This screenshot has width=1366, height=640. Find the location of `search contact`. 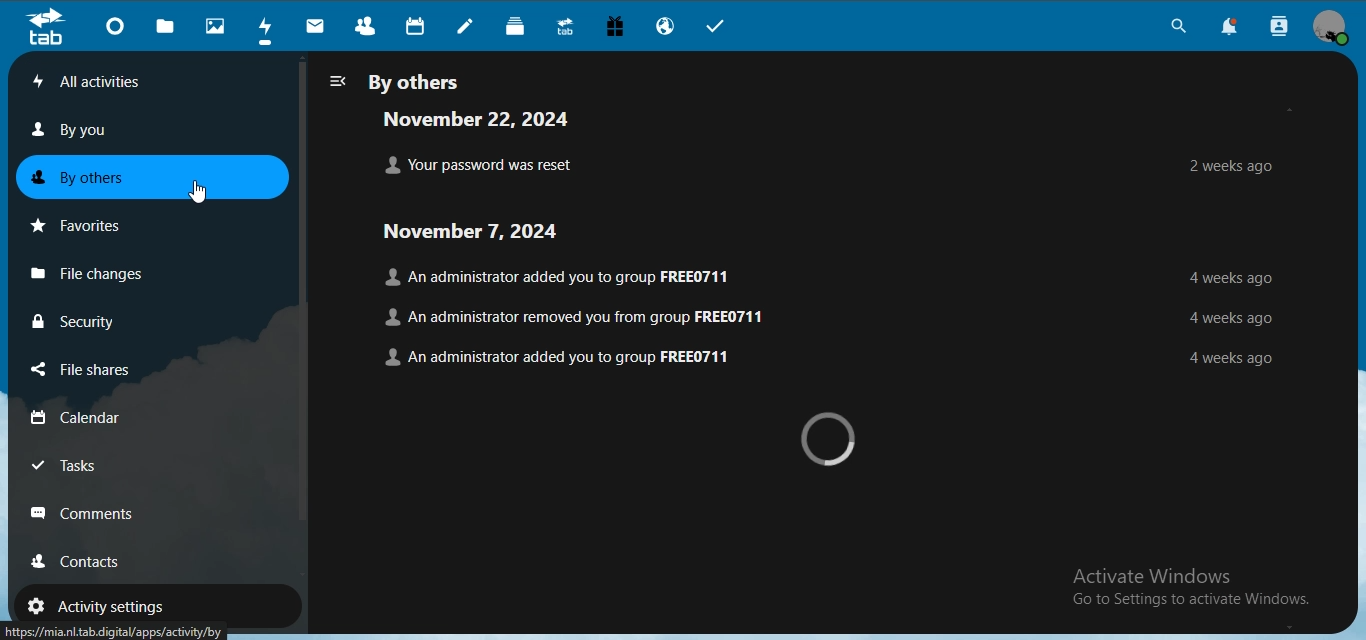

search contact is located at coordinates (1275, 27).